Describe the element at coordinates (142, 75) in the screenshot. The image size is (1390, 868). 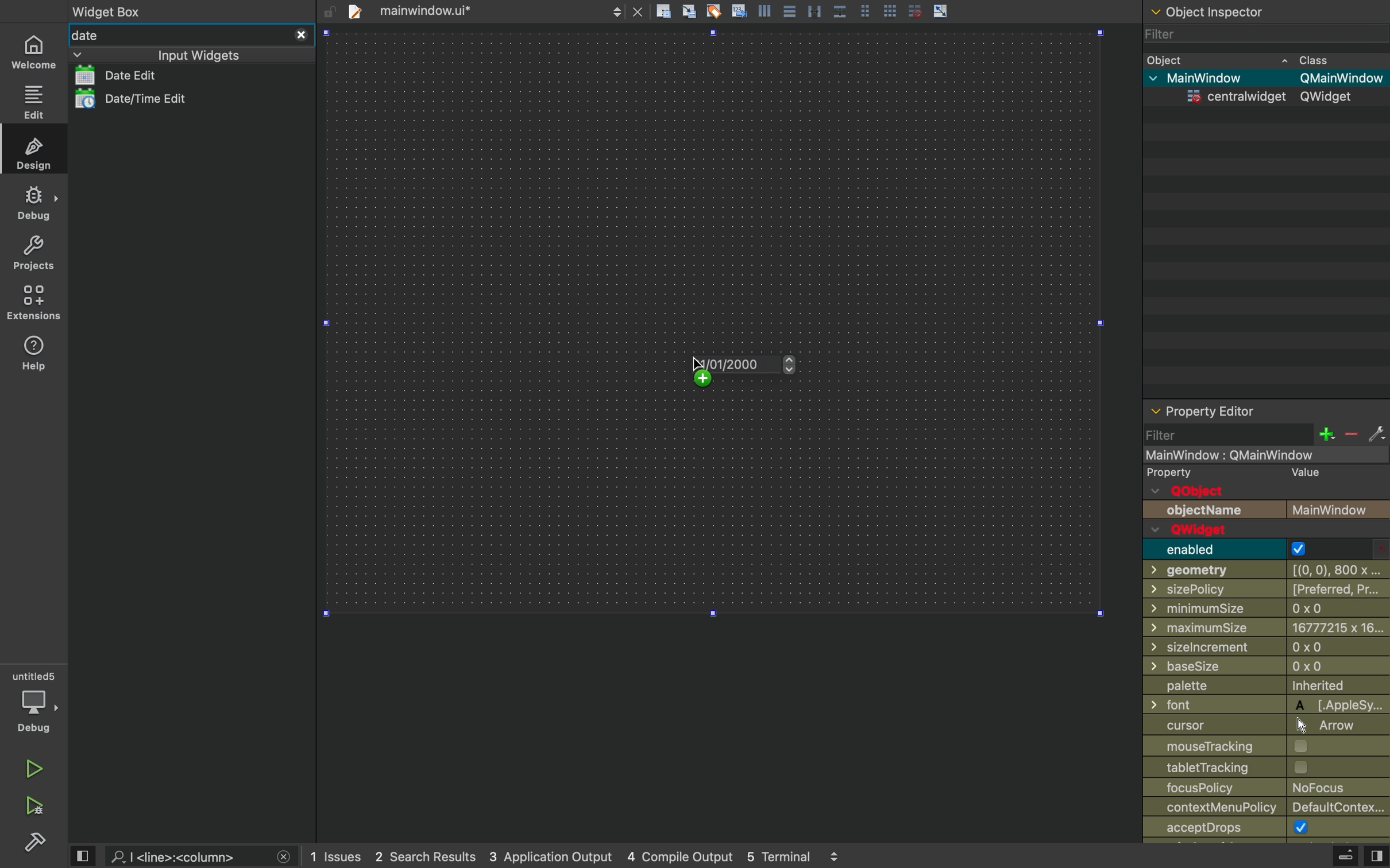
I see `date list` at that location.